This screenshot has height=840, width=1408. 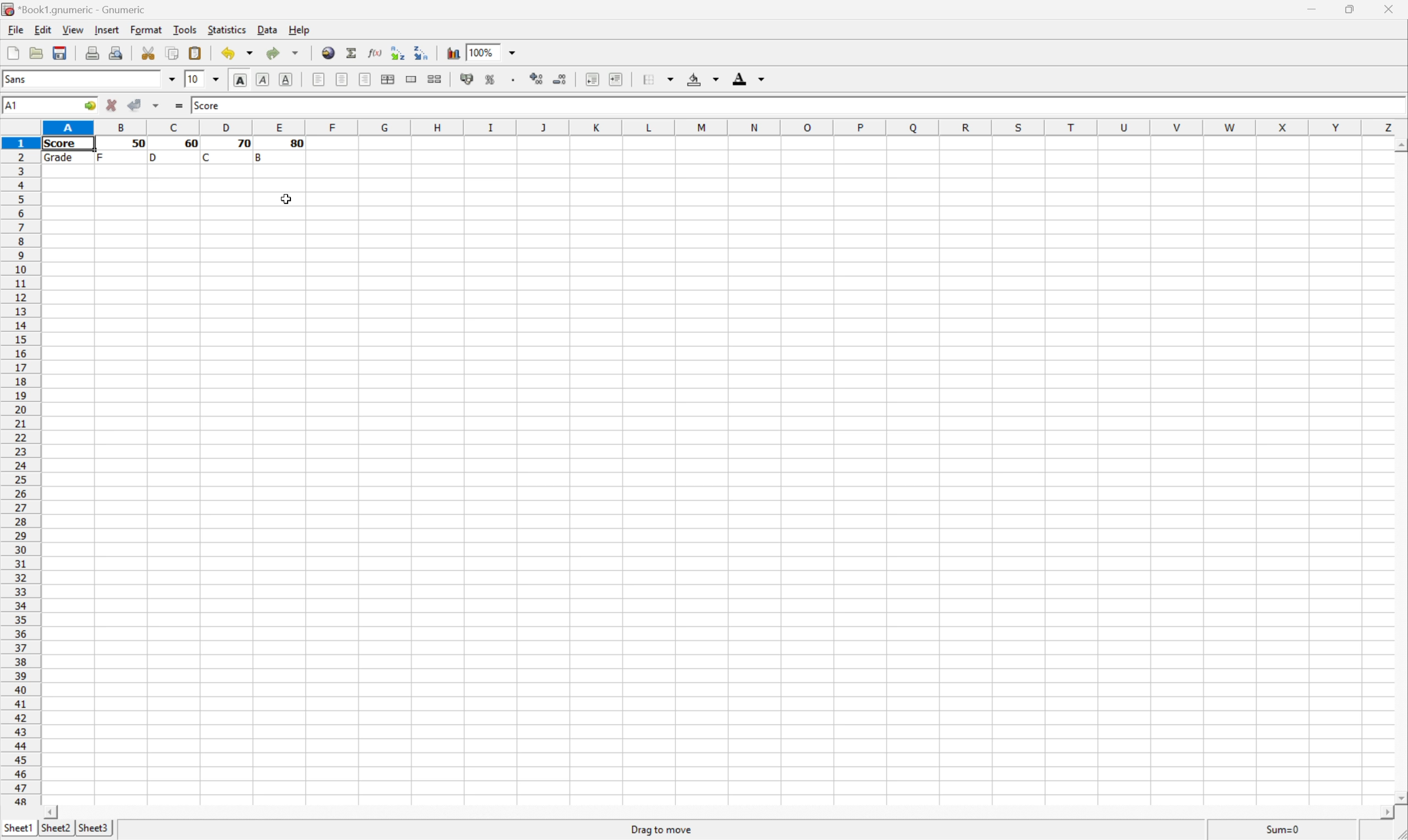 I want to click on Sans, so click(x=32, y=80).